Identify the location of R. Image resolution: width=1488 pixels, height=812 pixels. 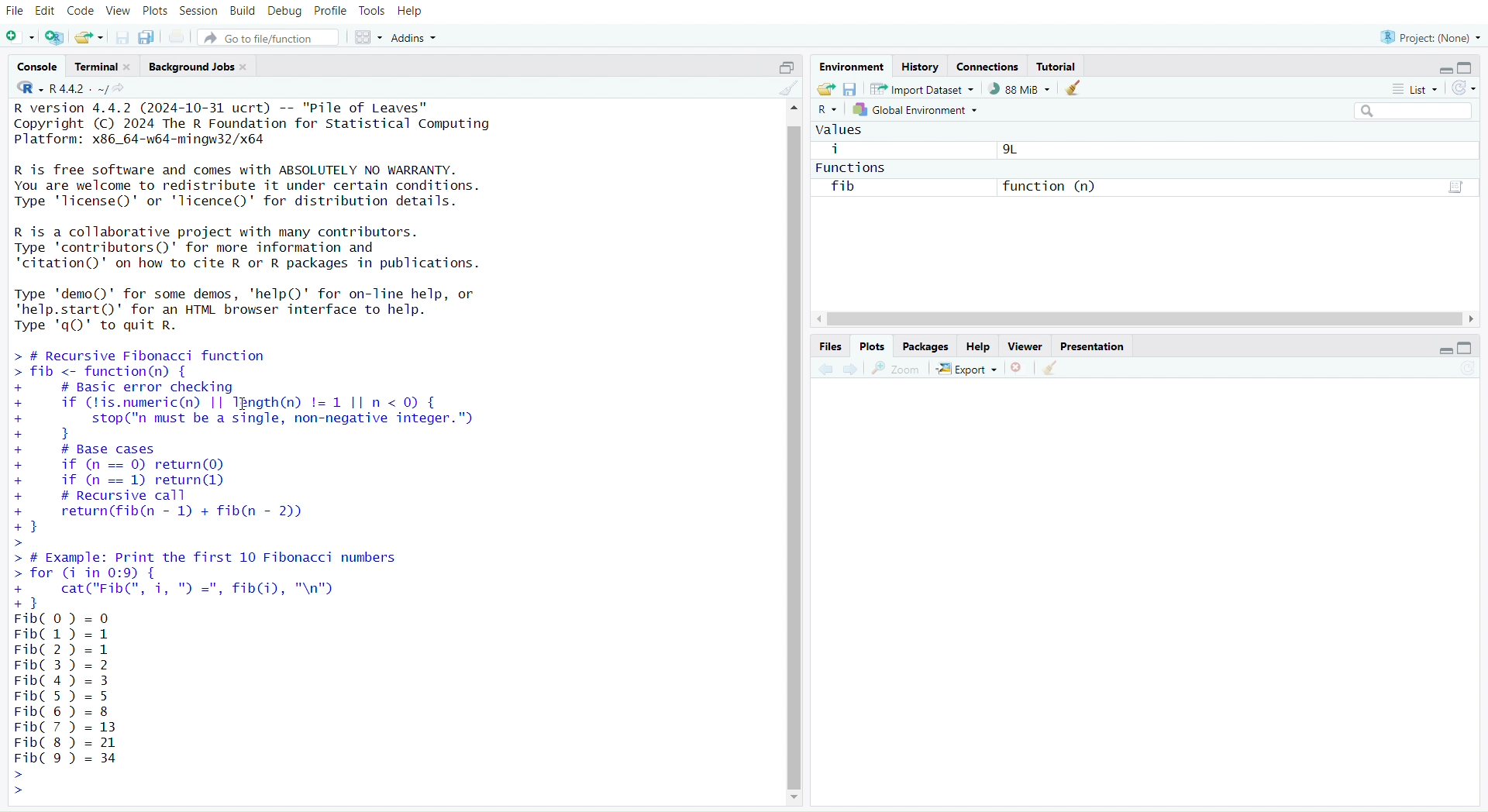
(827, 111).